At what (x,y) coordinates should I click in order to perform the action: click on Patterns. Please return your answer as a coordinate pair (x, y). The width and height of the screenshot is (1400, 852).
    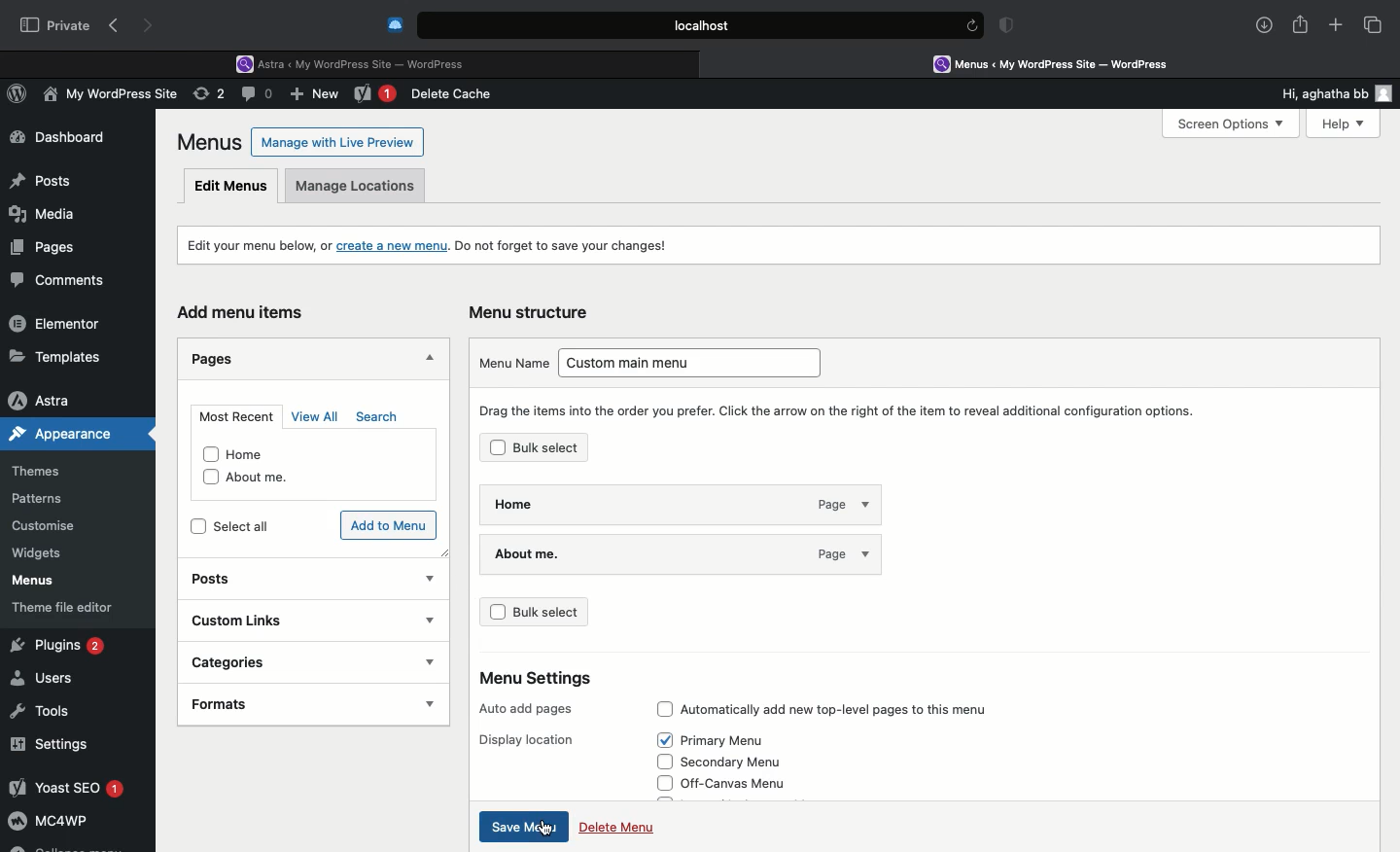
    Looking at the image, I should click on (45, 500).